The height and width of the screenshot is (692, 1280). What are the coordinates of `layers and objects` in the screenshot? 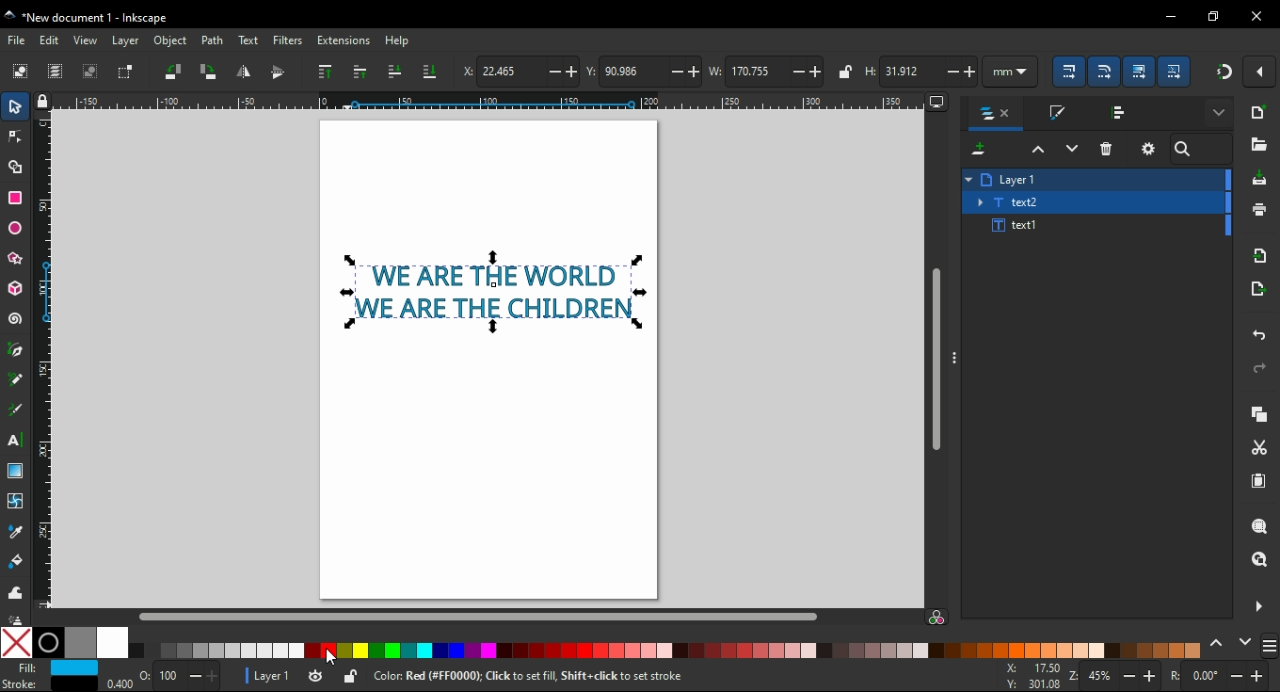 It's located at (994, 115).